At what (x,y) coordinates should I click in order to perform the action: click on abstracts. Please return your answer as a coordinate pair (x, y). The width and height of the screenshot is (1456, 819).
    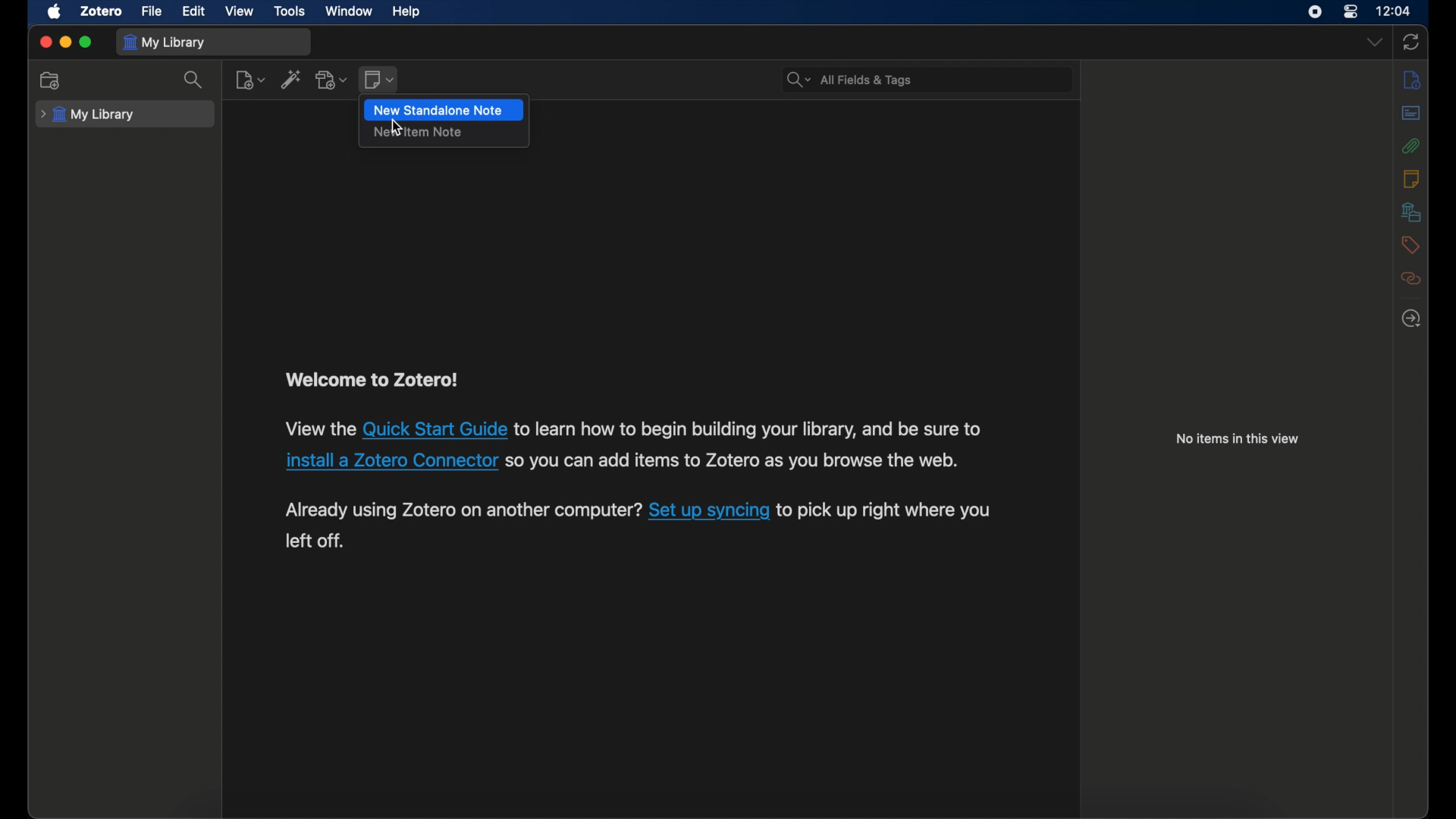
    Looking at the image, I should click on (1412, 113).